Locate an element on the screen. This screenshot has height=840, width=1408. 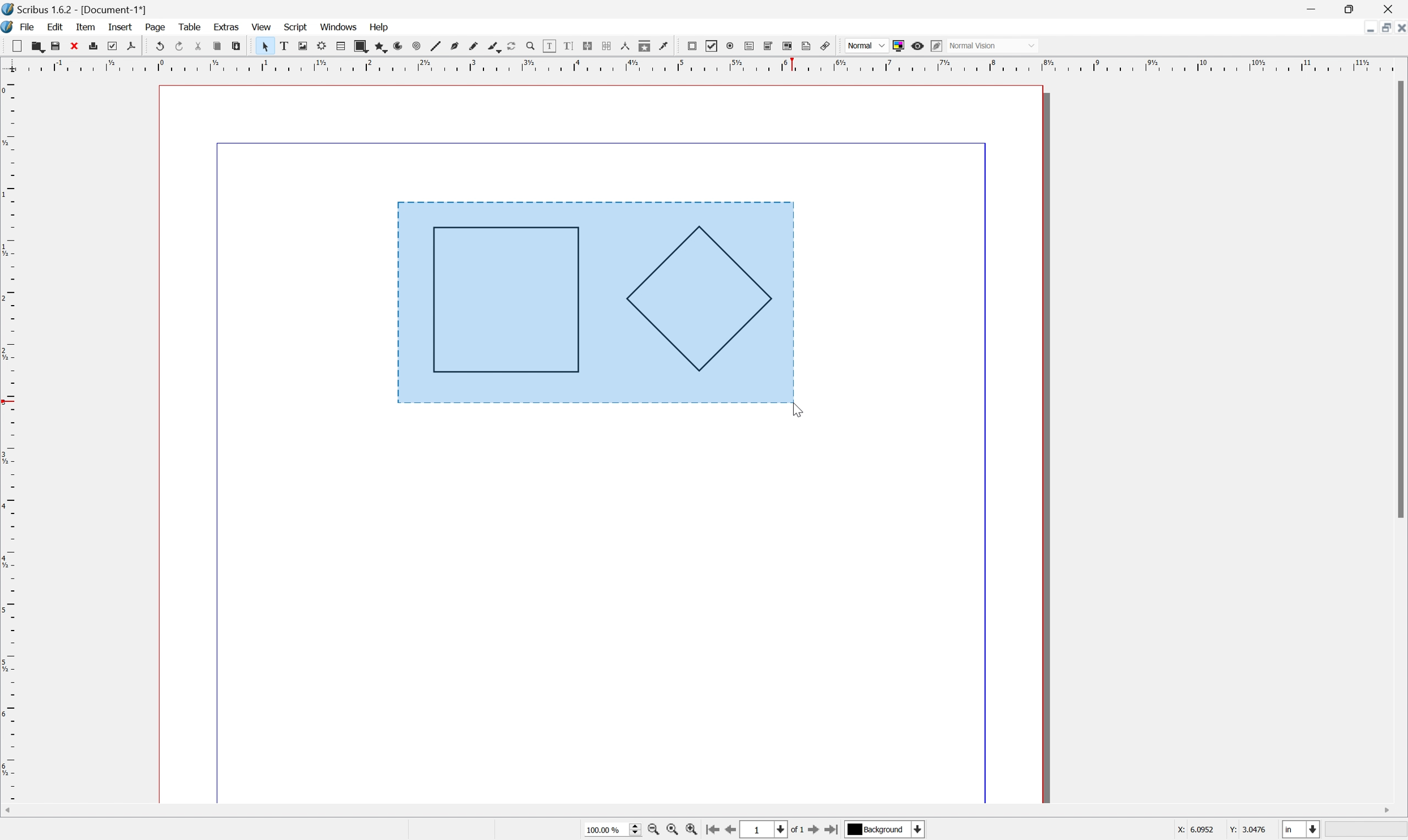
edit text with story editor is located at coordinates (568, 47).